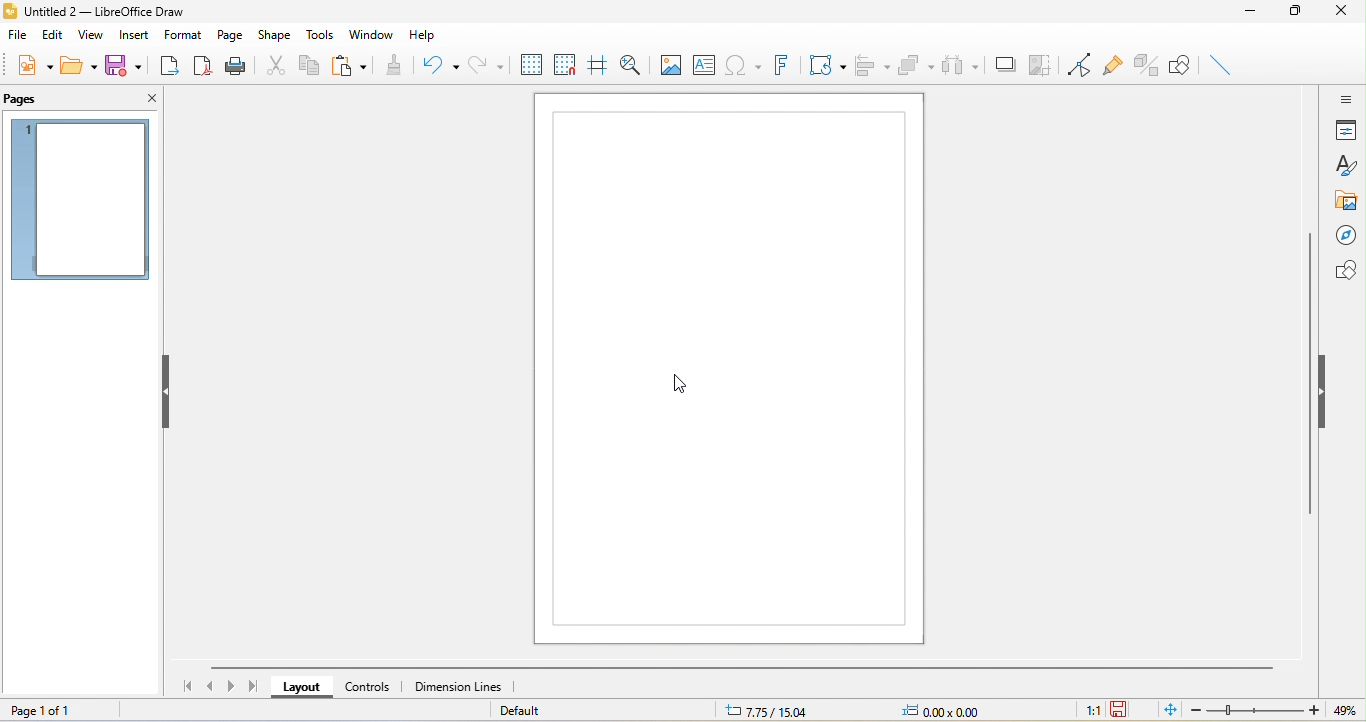 The width and height of the screenshot is (1366, 722). What do you see at coordinates (596, 68) in the screenshot?
I see `helpline while moving` at bounding box center [596, 68].